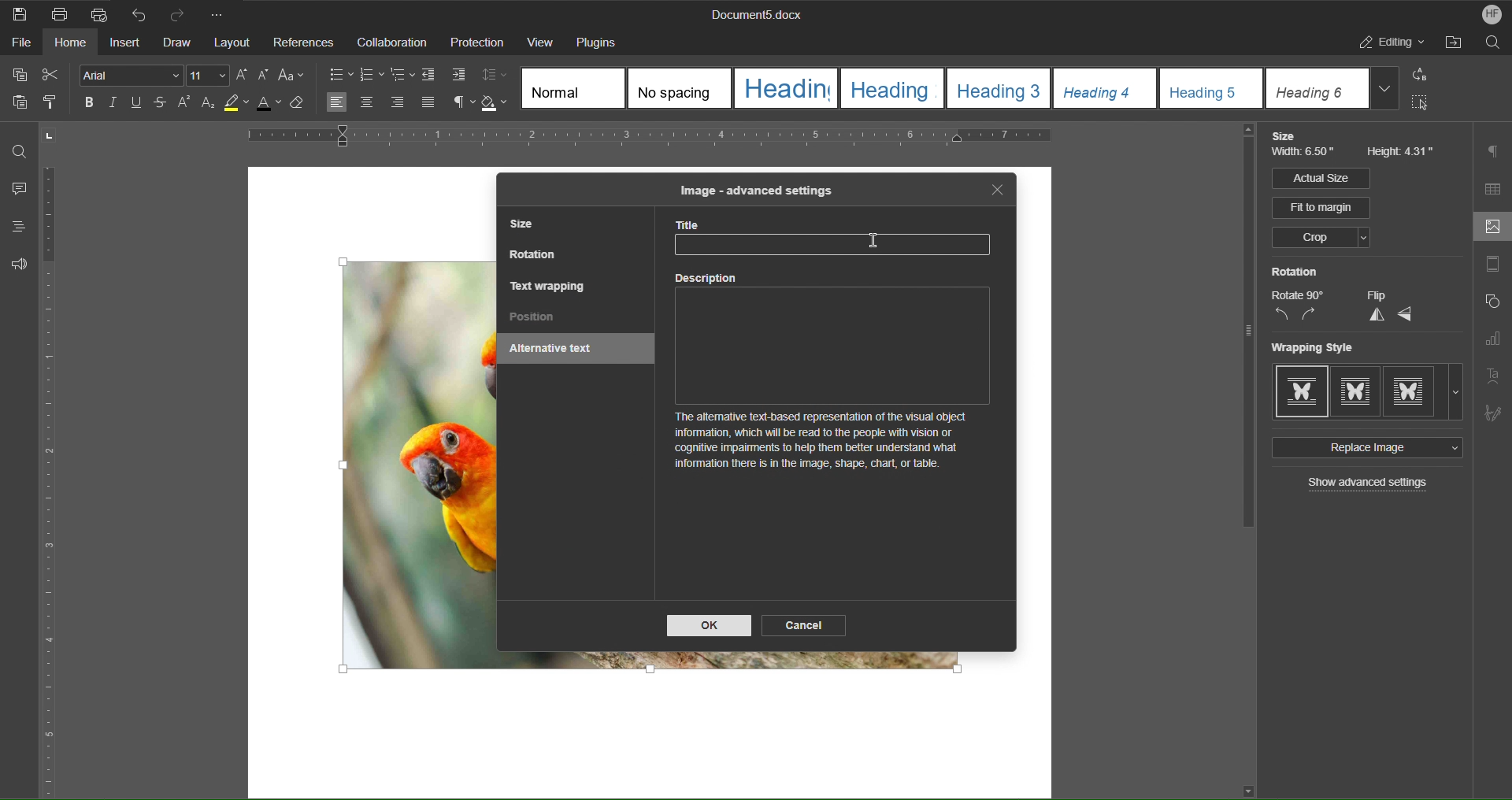  What do you see at coordinates (61, 14) in the screenshot?
I see `Print` at bounding box center [61, 14].